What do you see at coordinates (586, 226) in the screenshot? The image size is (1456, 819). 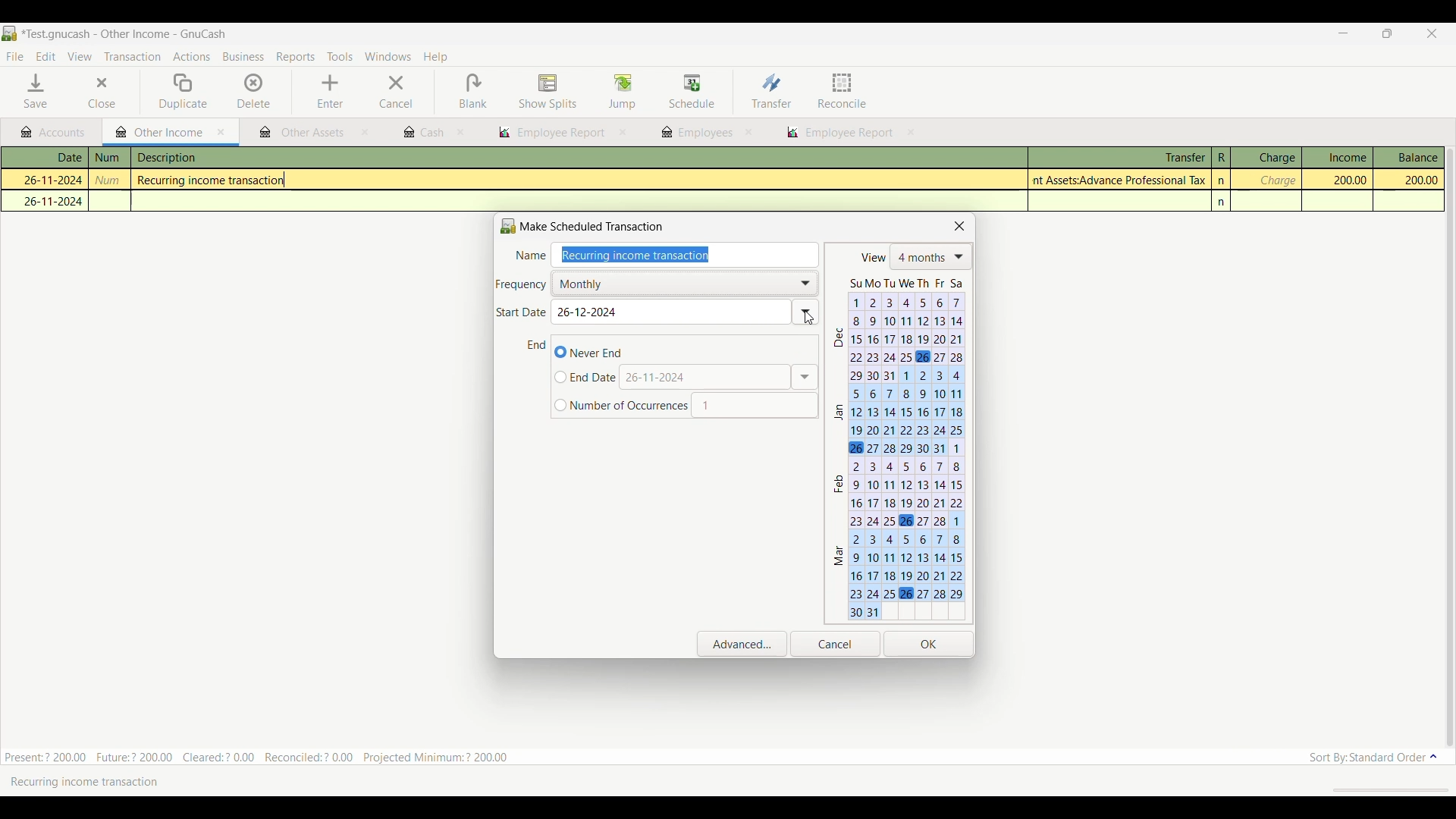 I see `Make Scheduled Transaction` at bounding box center [586, 226].